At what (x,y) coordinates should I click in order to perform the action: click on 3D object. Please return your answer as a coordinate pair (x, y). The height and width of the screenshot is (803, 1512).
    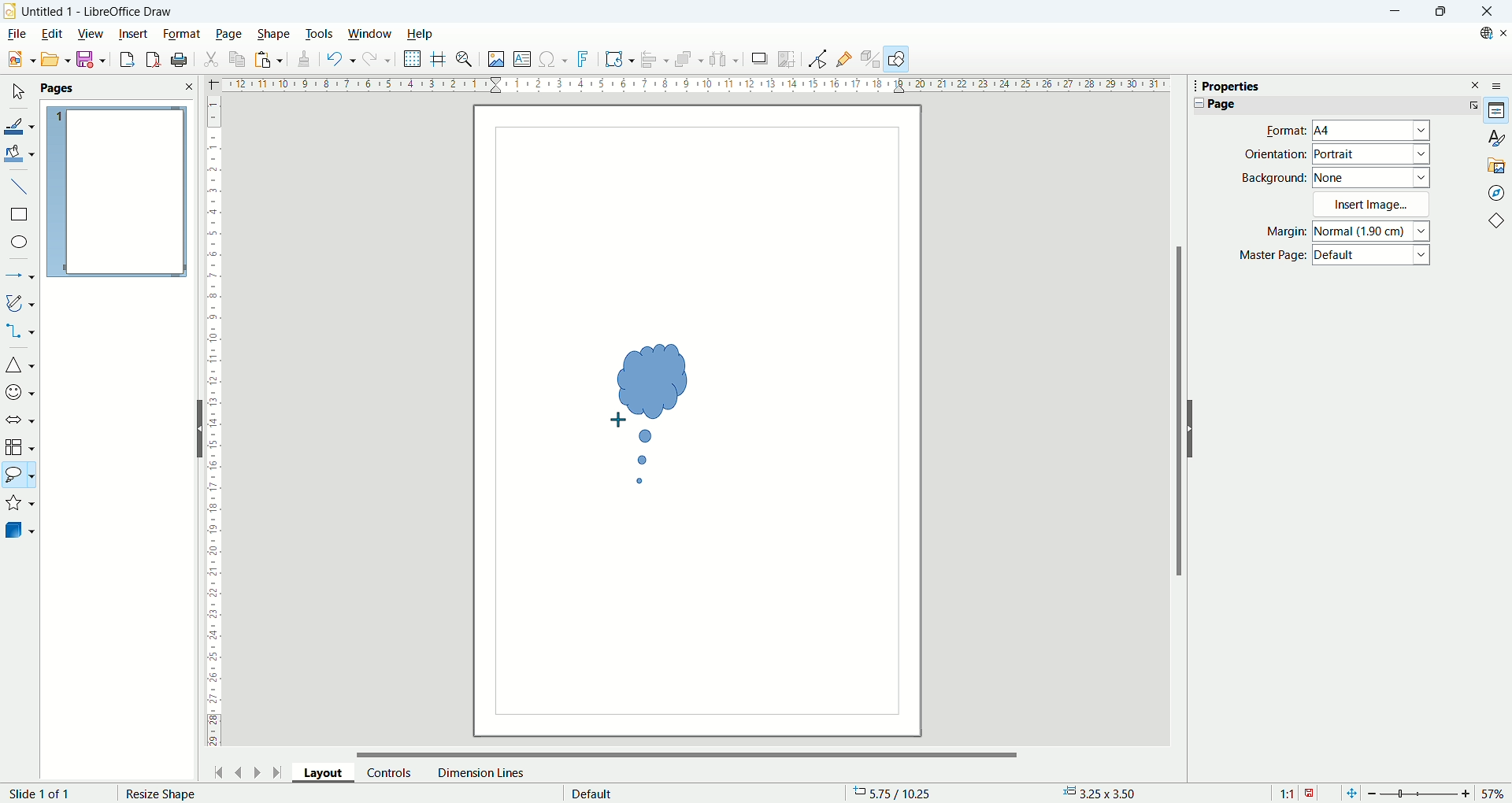
    Looking at the image, I should click on (21, 531).